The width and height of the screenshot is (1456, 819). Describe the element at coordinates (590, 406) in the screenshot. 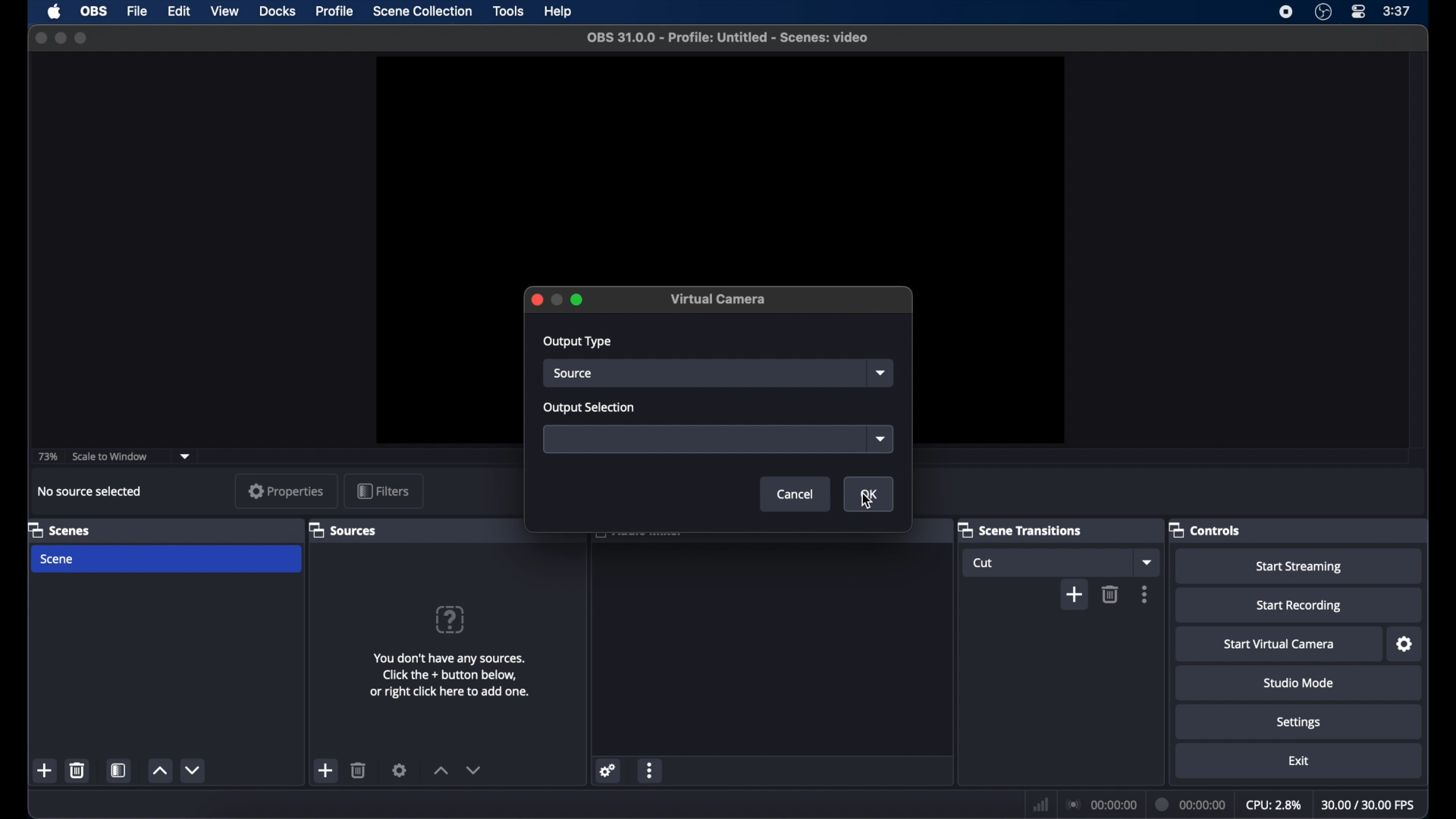

I see `output selection` at that location.